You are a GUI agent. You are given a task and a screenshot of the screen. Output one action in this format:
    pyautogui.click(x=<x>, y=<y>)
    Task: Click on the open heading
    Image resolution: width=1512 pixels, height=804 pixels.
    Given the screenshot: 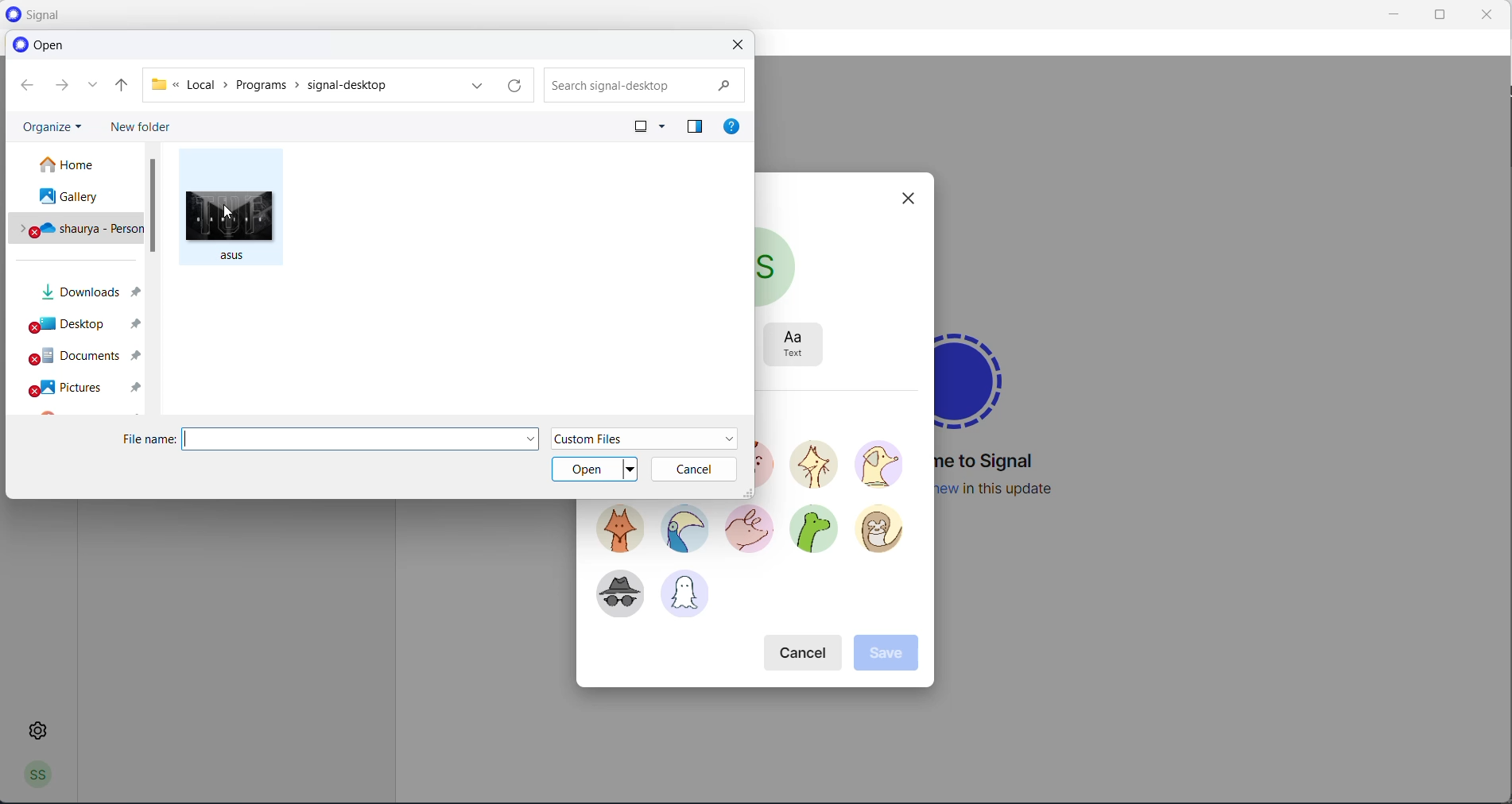 What is the action you would take?
    pyautogui.click(x=43, y=45)
    